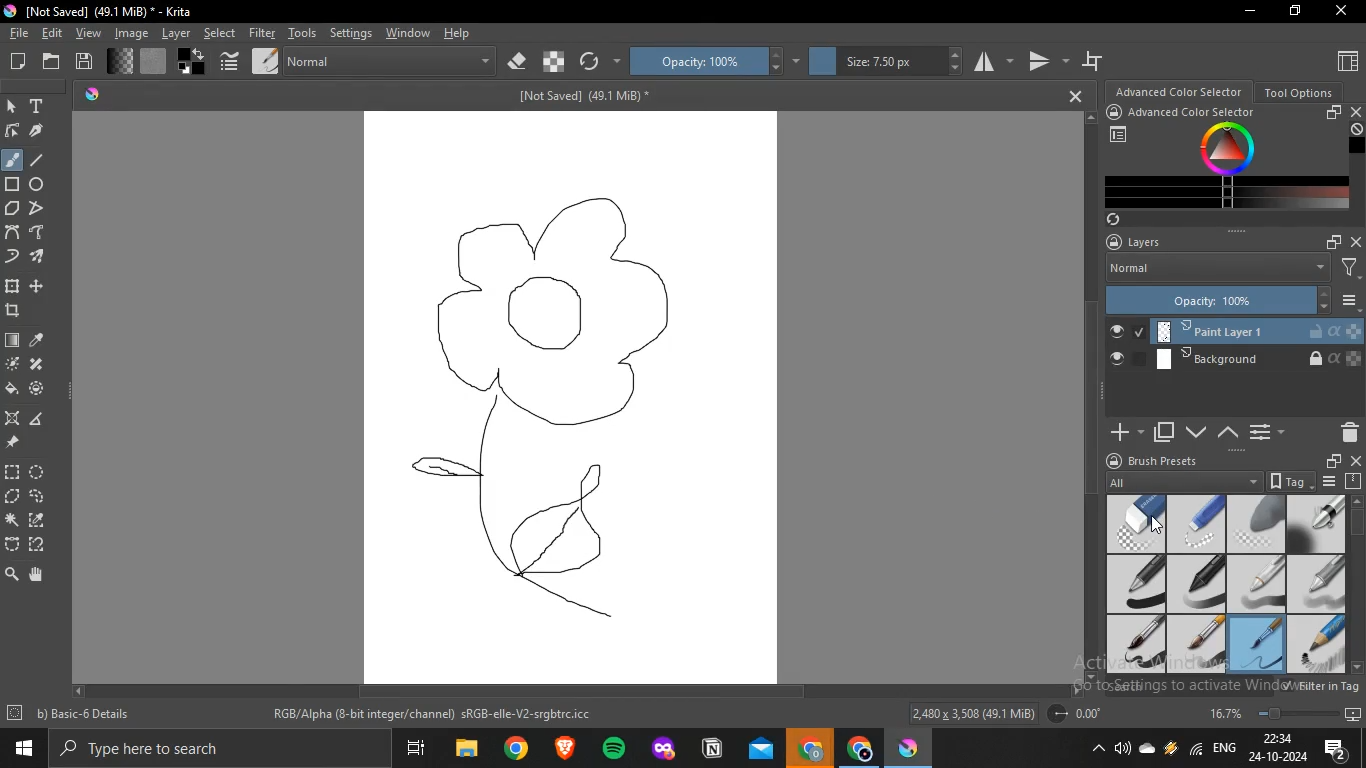 The width and height of the screenshot is (1366, 768). Describe the element at coordinates (1151, 524) in the screenshot. I see `Cursor` at that location.